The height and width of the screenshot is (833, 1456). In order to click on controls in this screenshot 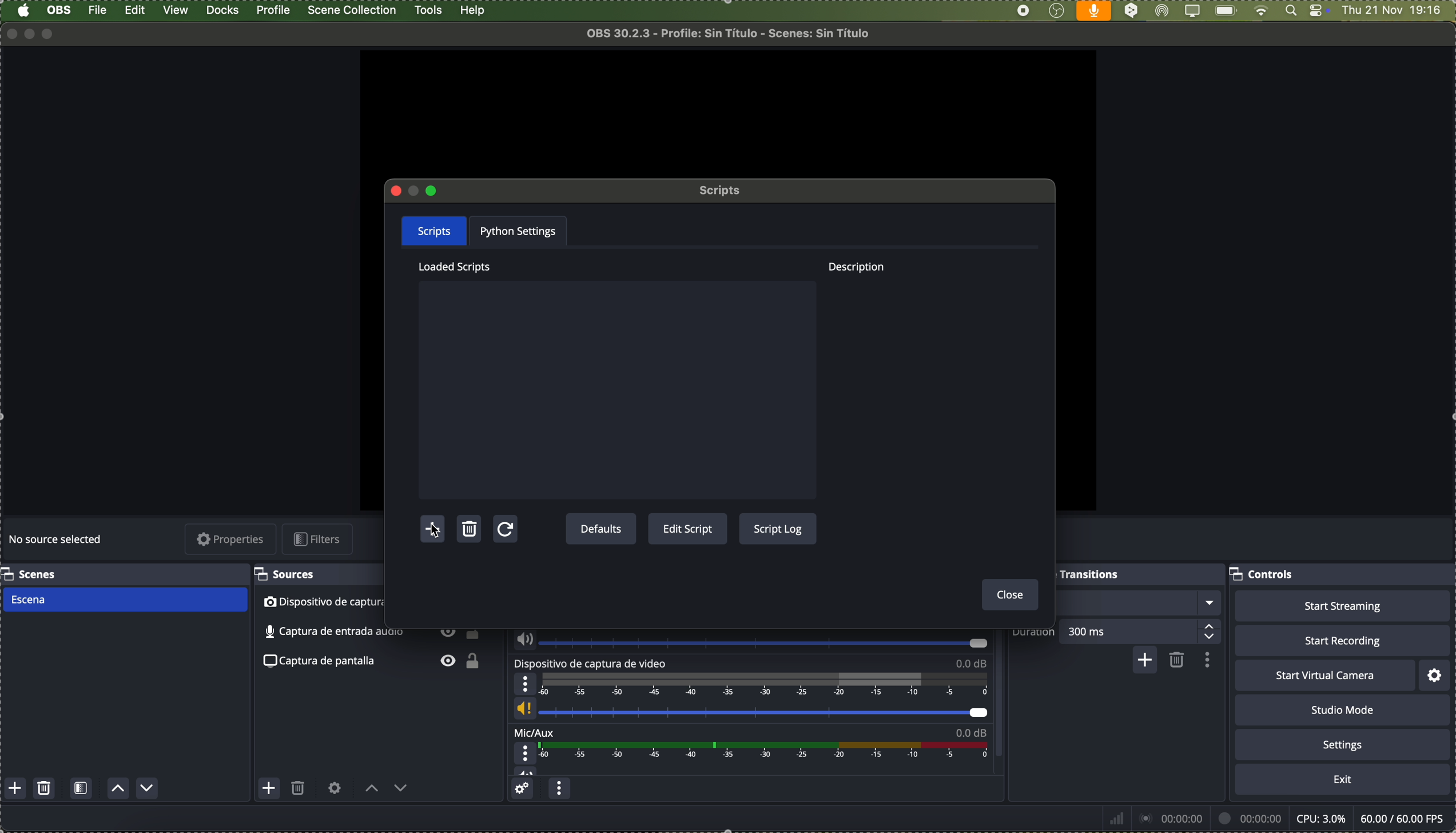, I will do `click(1319, 11)`.